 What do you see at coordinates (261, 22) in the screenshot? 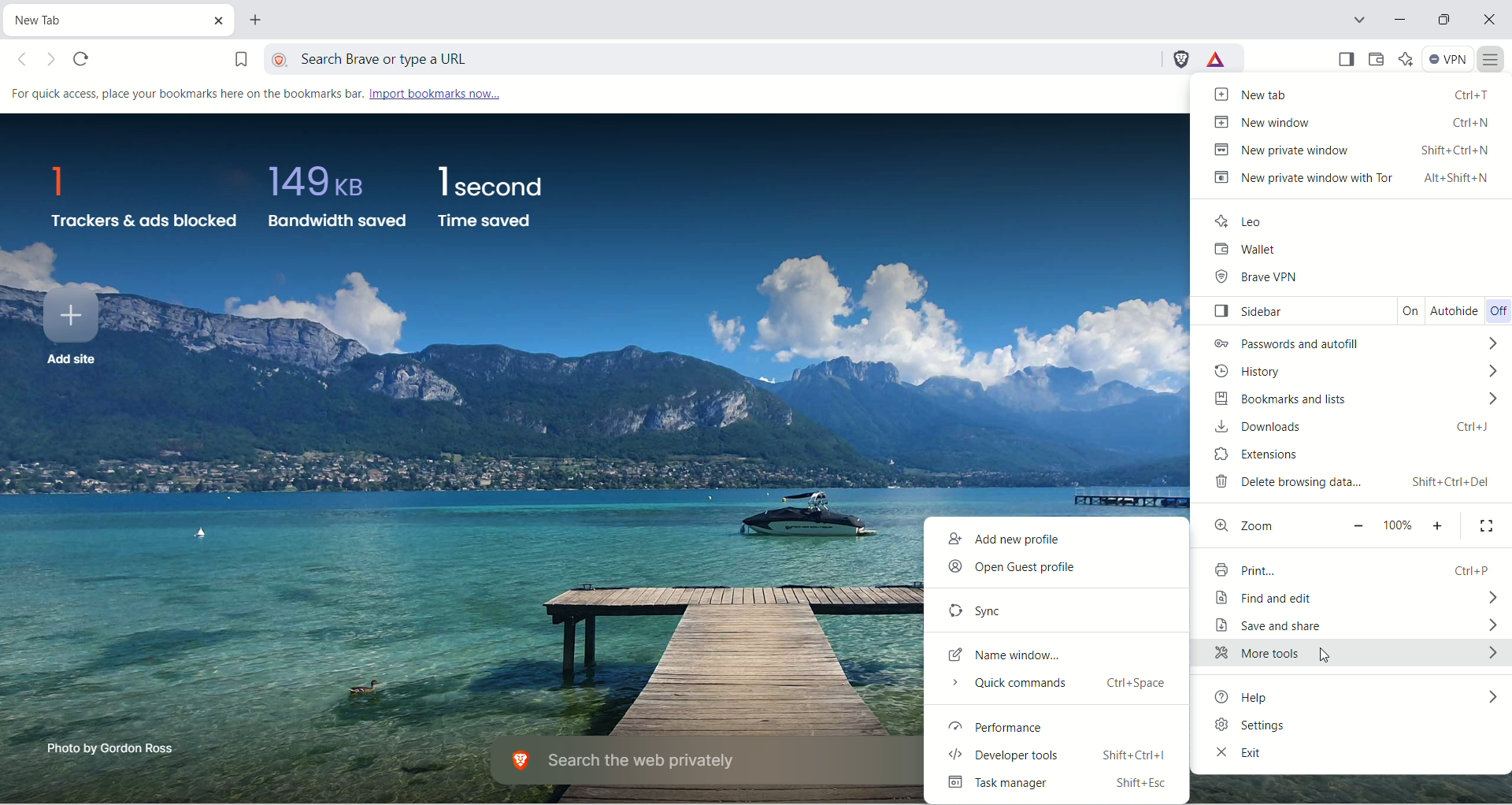
I see `new tab` at bounding box center [261, 22].